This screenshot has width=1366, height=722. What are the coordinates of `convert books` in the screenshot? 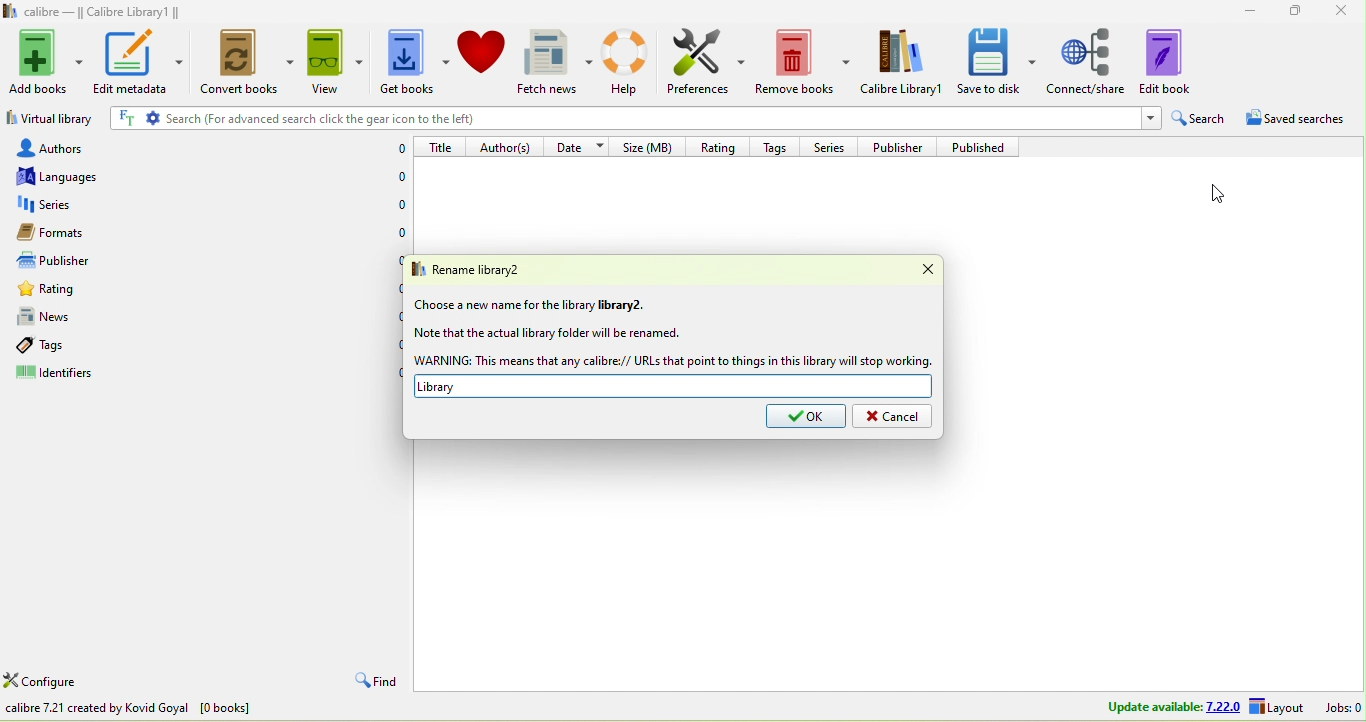 It's located at (242, 64).